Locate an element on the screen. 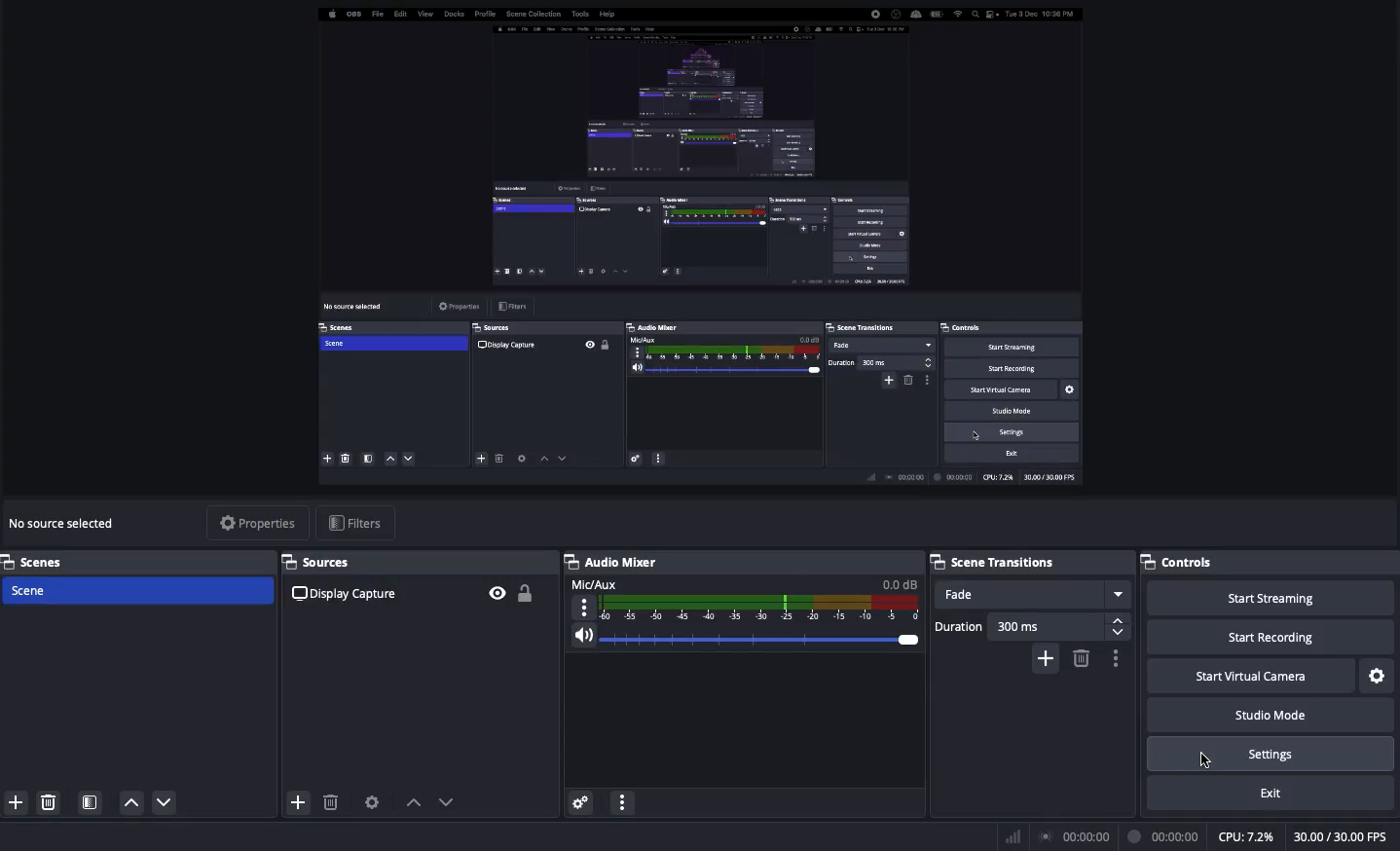 This screenshot has width=1400, height=851. Filters is located at coordinates (355, 523).